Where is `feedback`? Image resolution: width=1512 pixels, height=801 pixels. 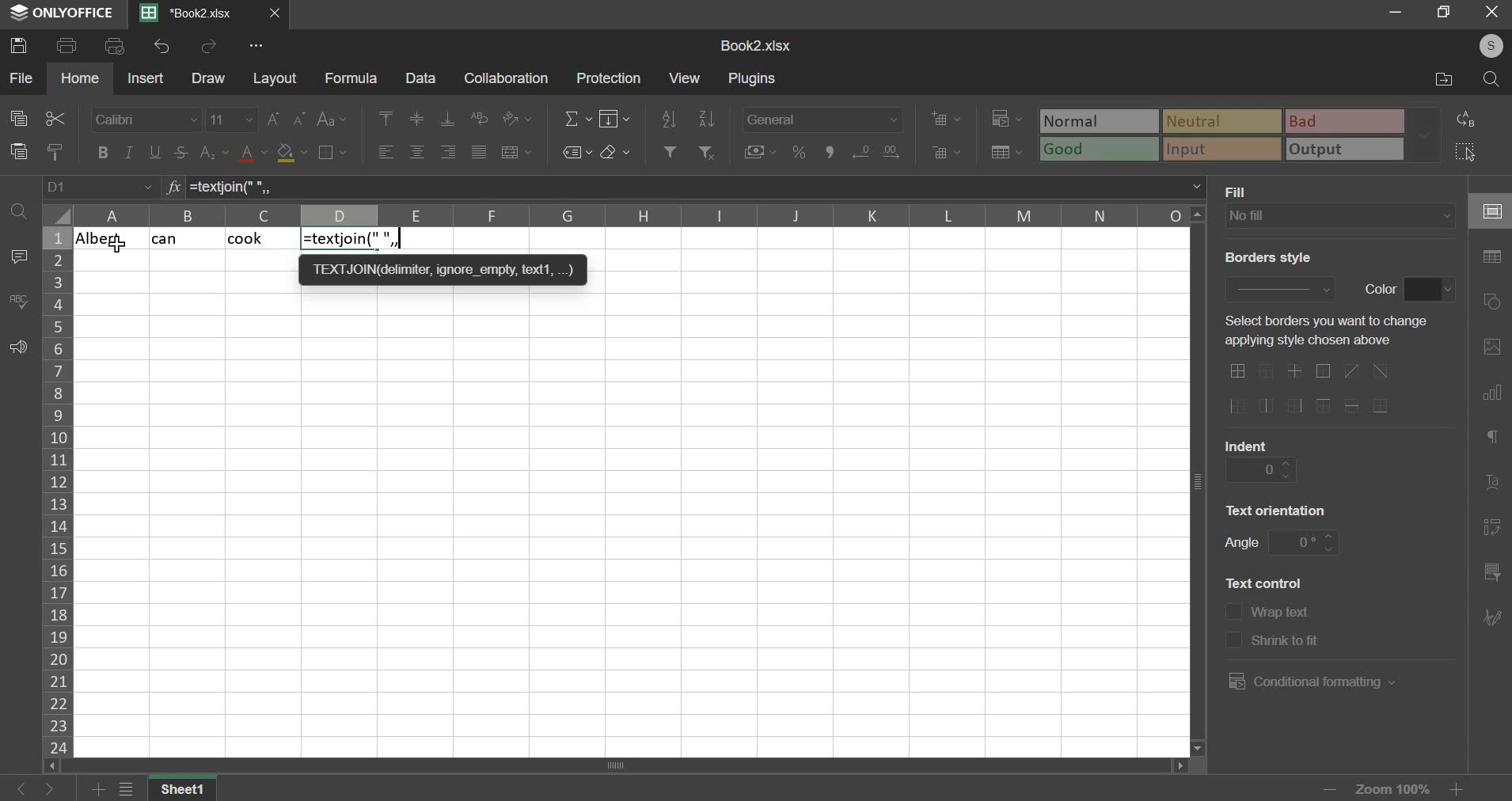 feedback is located at coordinates (18, 348).